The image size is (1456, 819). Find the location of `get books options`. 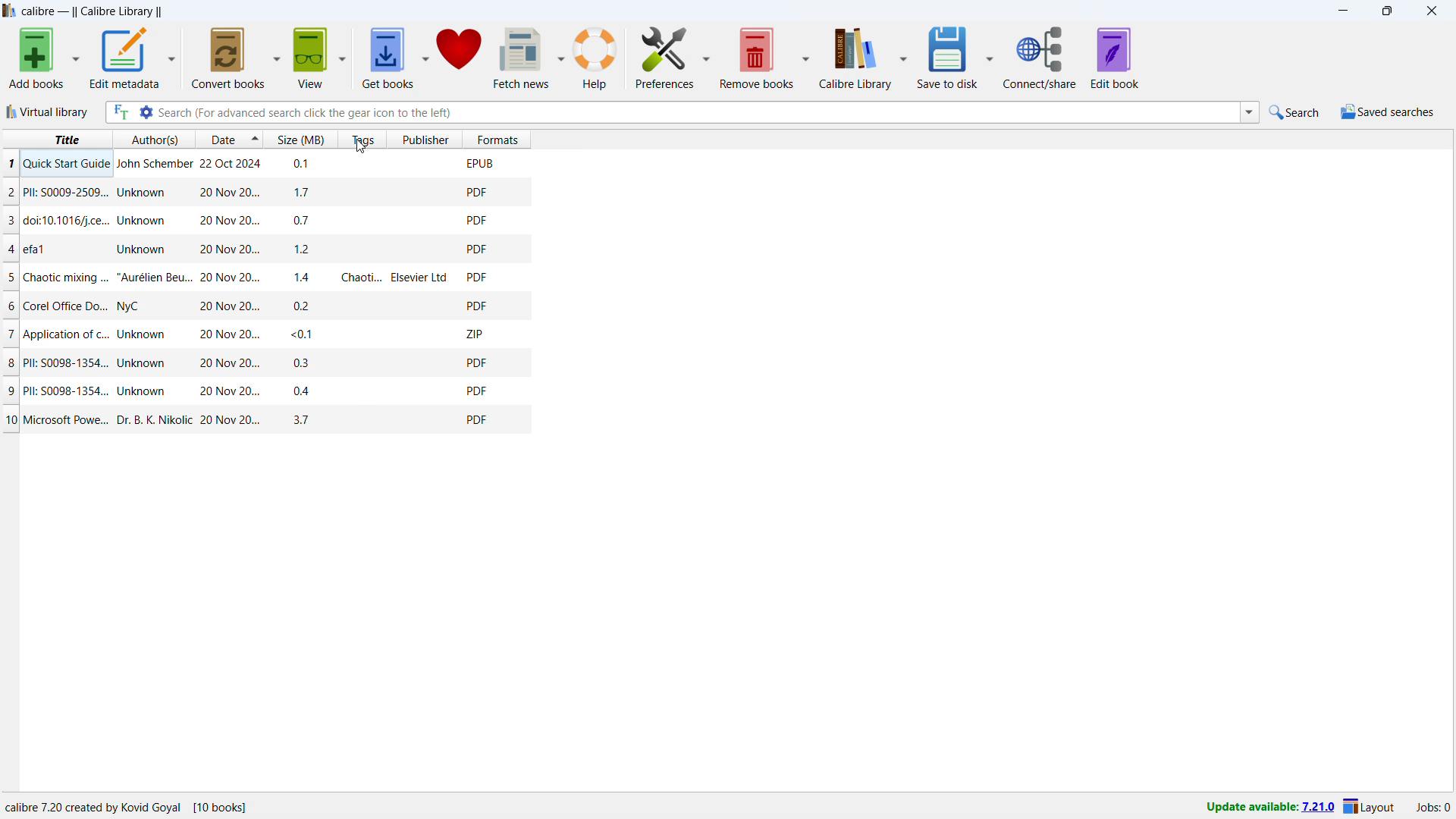

get books options is located at coordinates (425, 55).